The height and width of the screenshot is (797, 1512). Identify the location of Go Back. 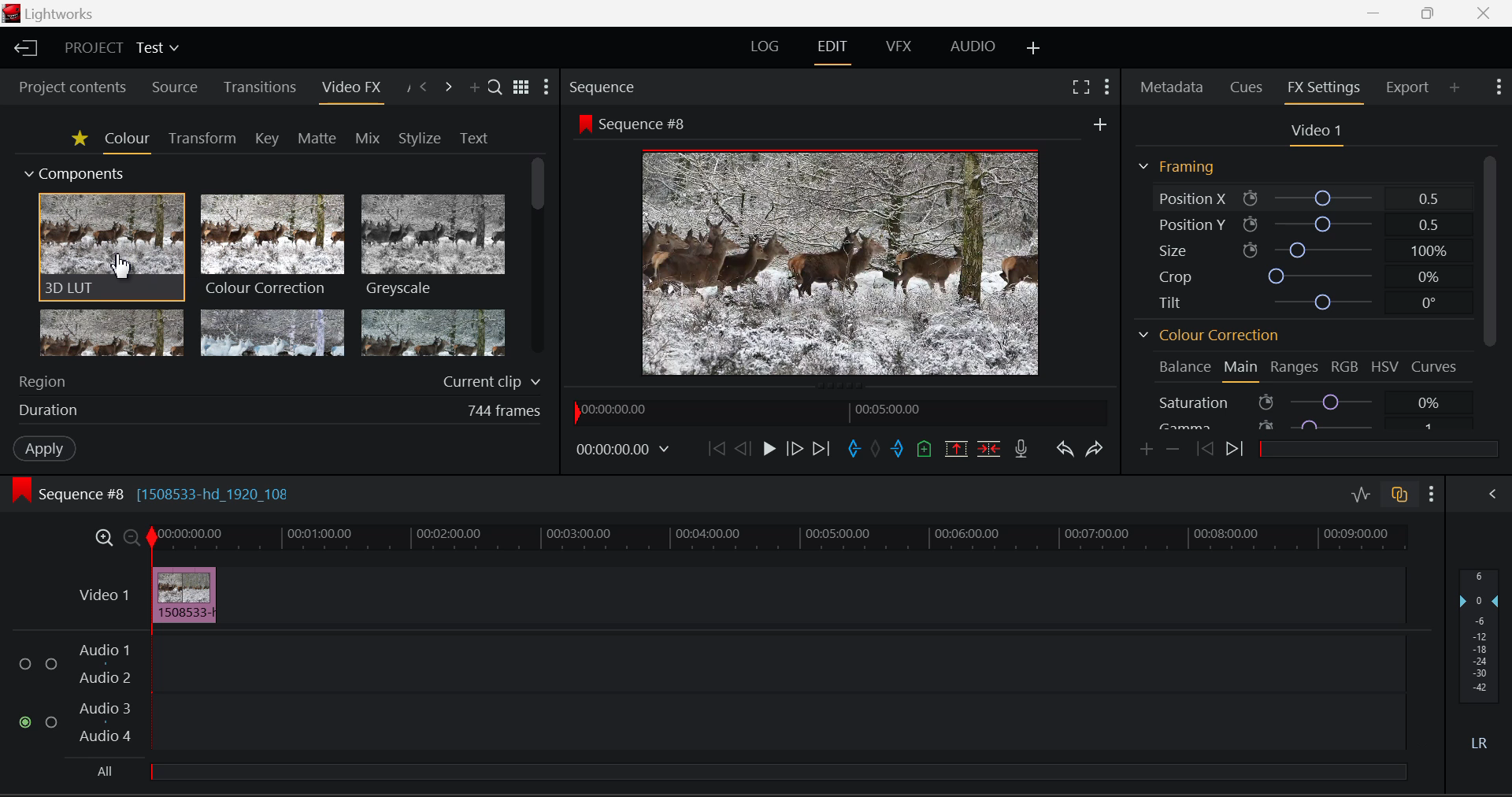
(743, 451).